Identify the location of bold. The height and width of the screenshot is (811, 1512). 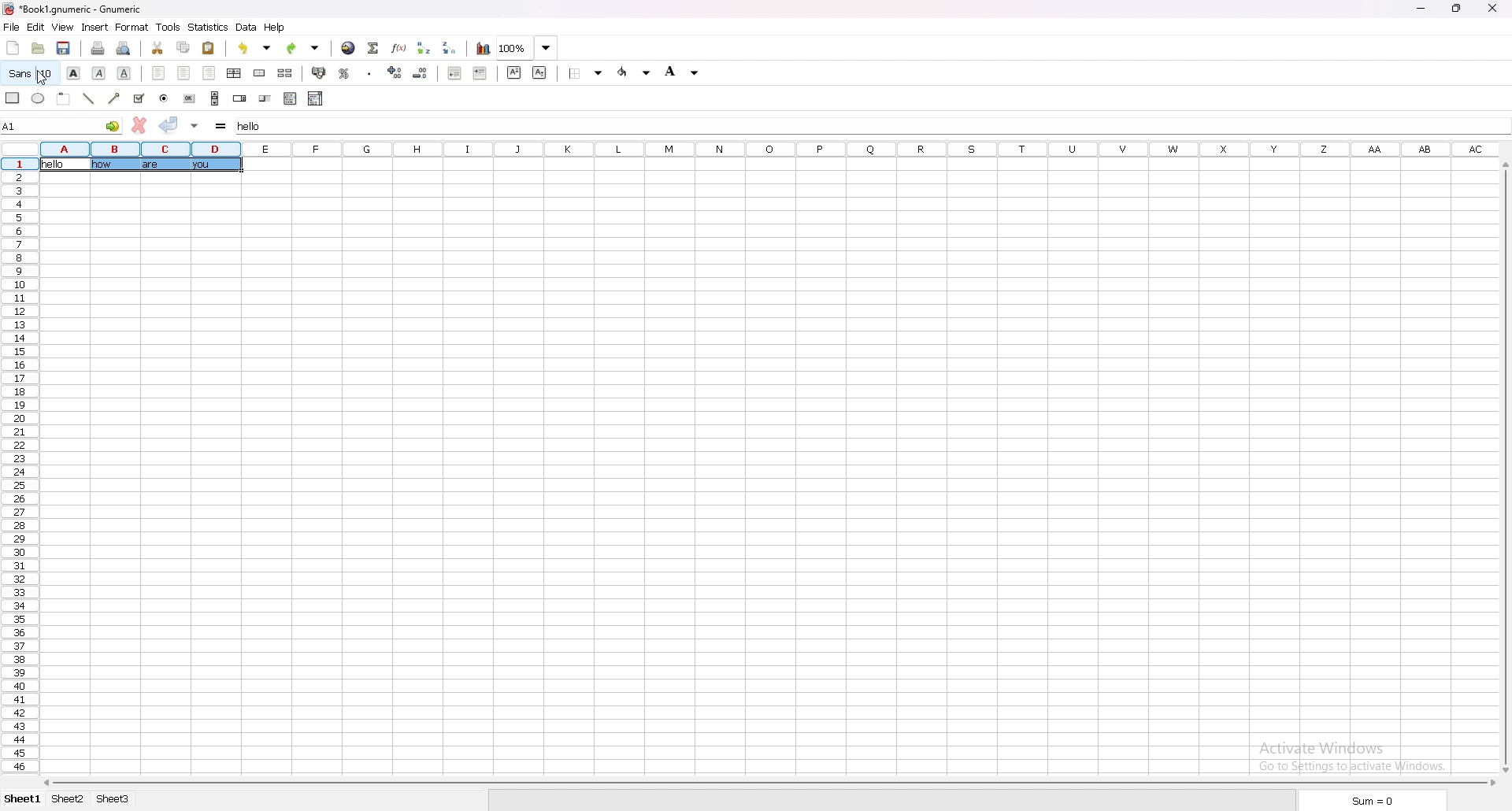
(73, 72).